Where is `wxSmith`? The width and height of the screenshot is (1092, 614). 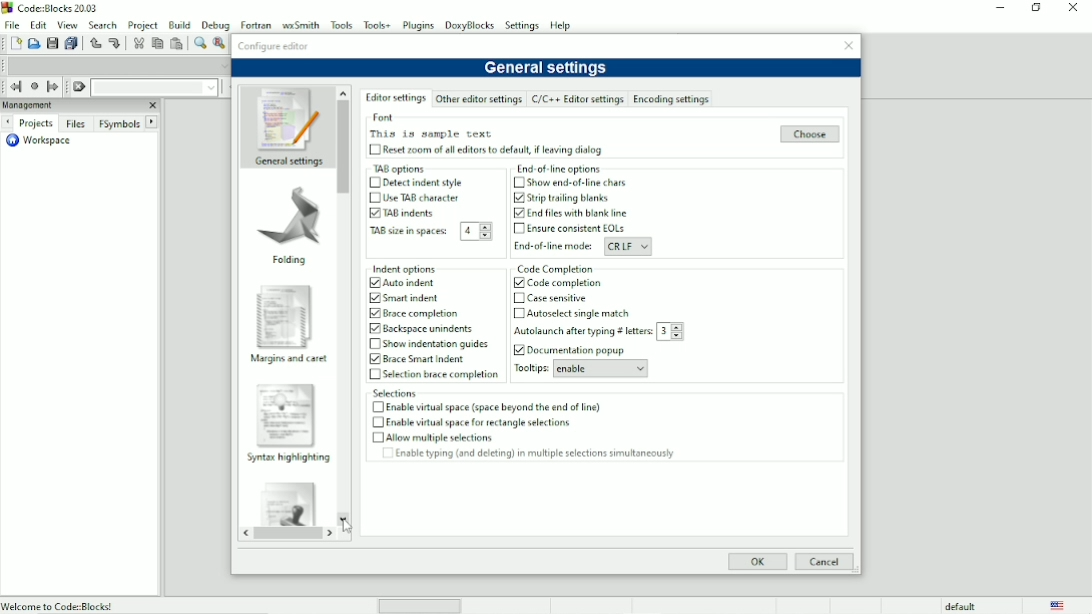 wxSmith is located at coordinates (299, 23).